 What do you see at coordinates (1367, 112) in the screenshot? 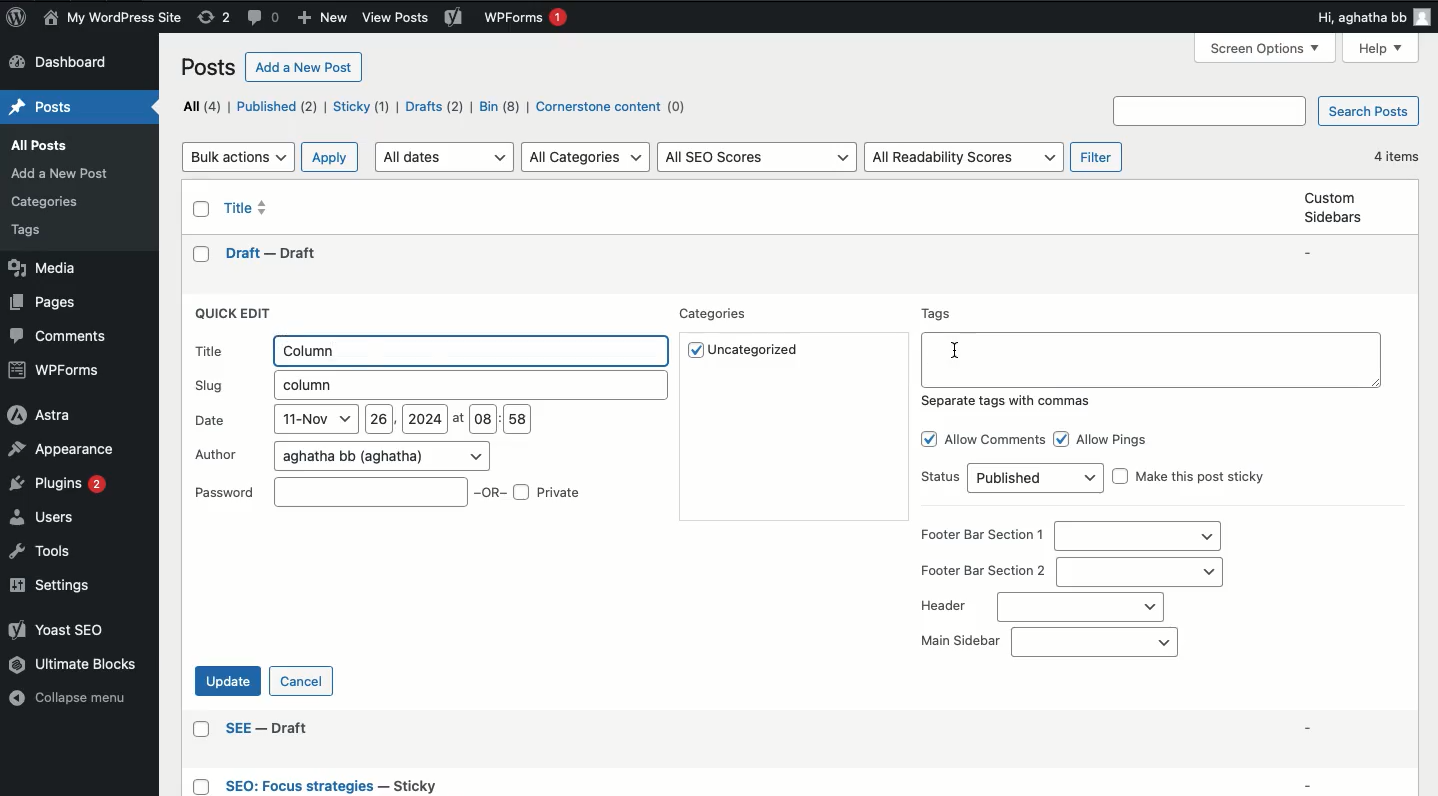
I see `Search posts` at bounding box center [1367, 112].